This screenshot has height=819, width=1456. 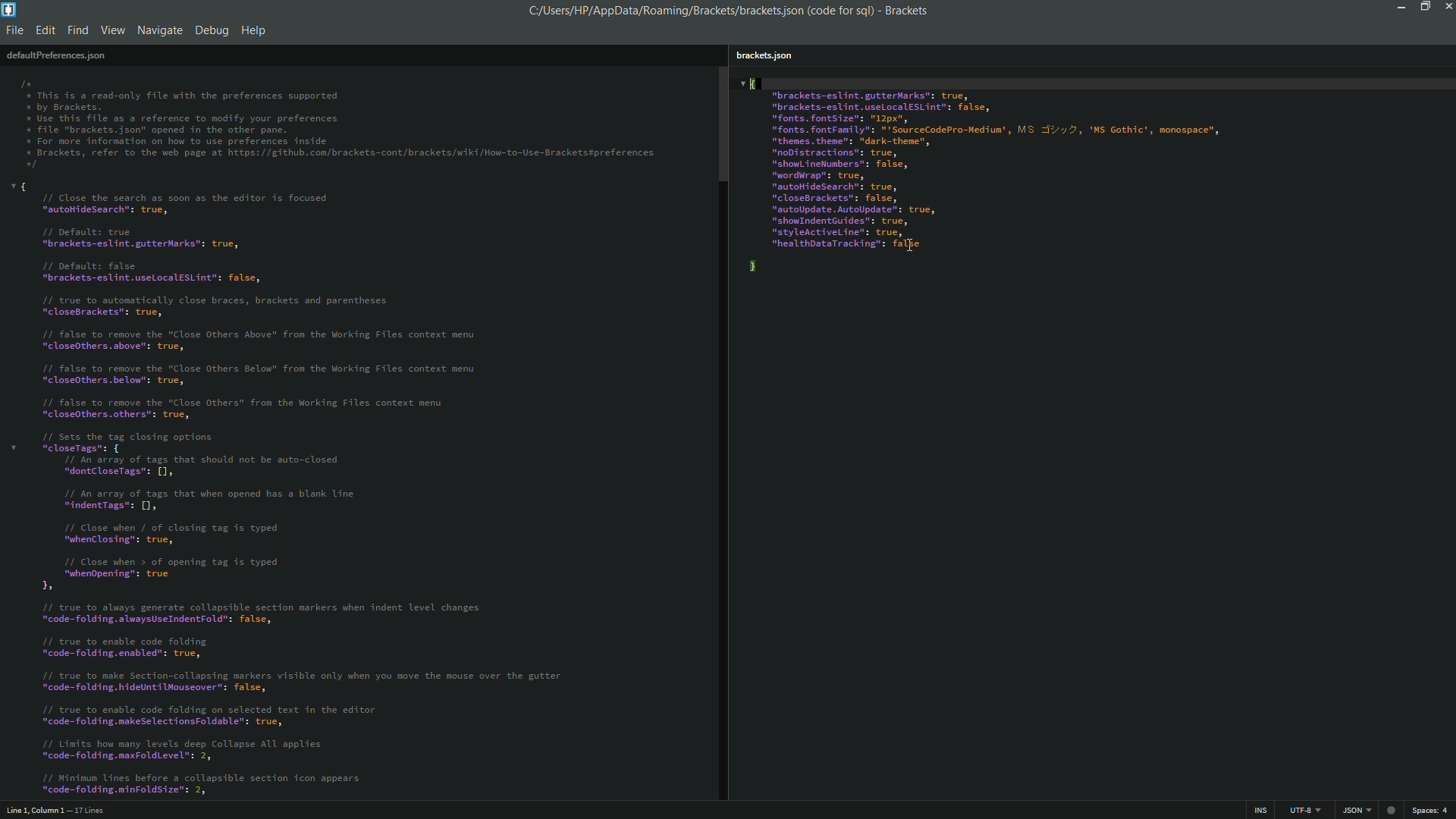 I want to click on Setting options, so click(x=986, y=177).